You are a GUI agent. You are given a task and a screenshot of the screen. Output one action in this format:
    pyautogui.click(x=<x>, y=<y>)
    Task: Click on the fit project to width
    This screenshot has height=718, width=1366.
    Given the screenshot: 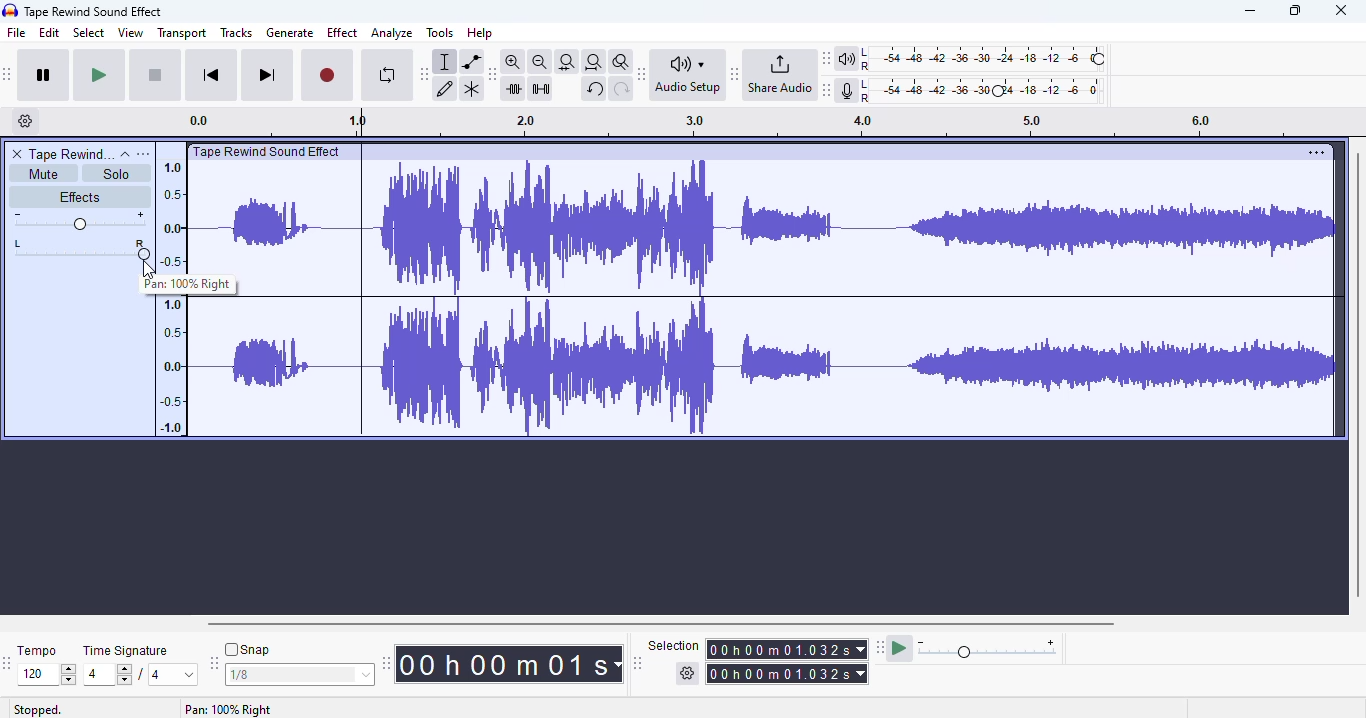 What is the action you would take?
    pyautogui.click(x=594, y=62)
    